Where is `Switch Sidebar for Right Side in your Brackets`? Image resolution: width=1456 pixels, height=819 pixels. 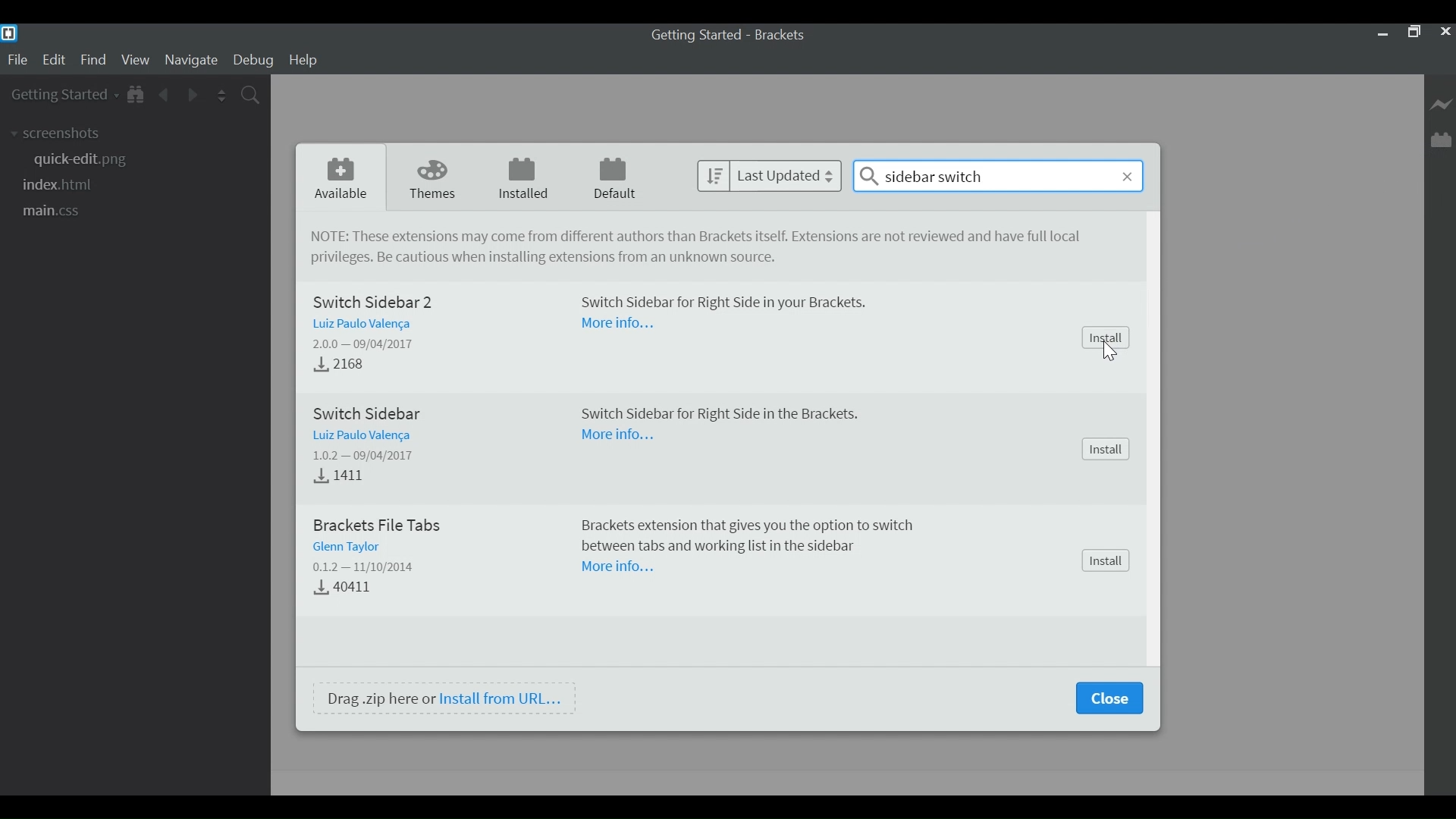 Switch Sidebar for Right Side in your Brackets is located at coordinates (732, 300).